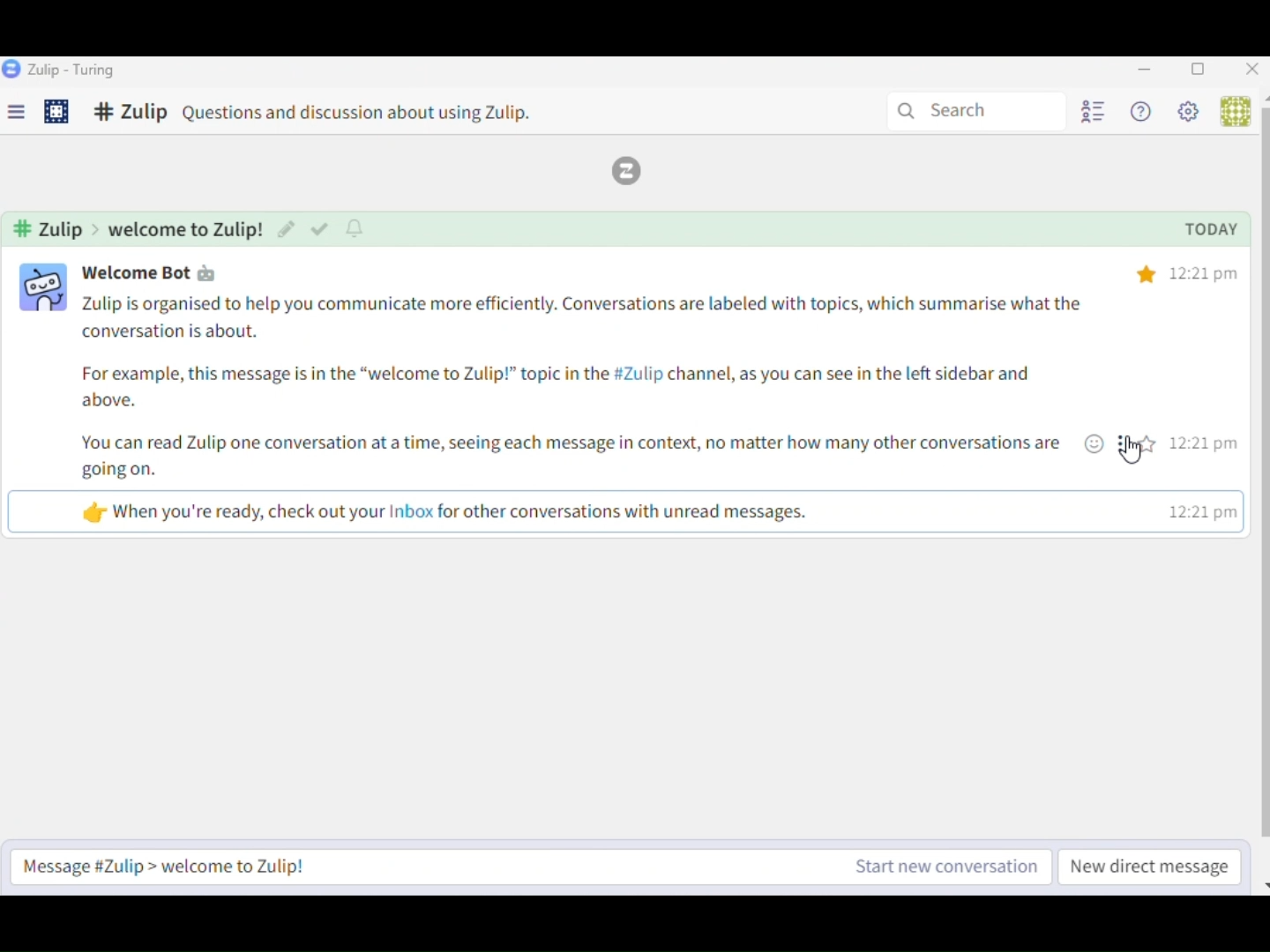 The height and width of the screenshot is (952, 1270). Describe the element at coordinates (1262, 97) in the screenshot. I see `Up` at that location.